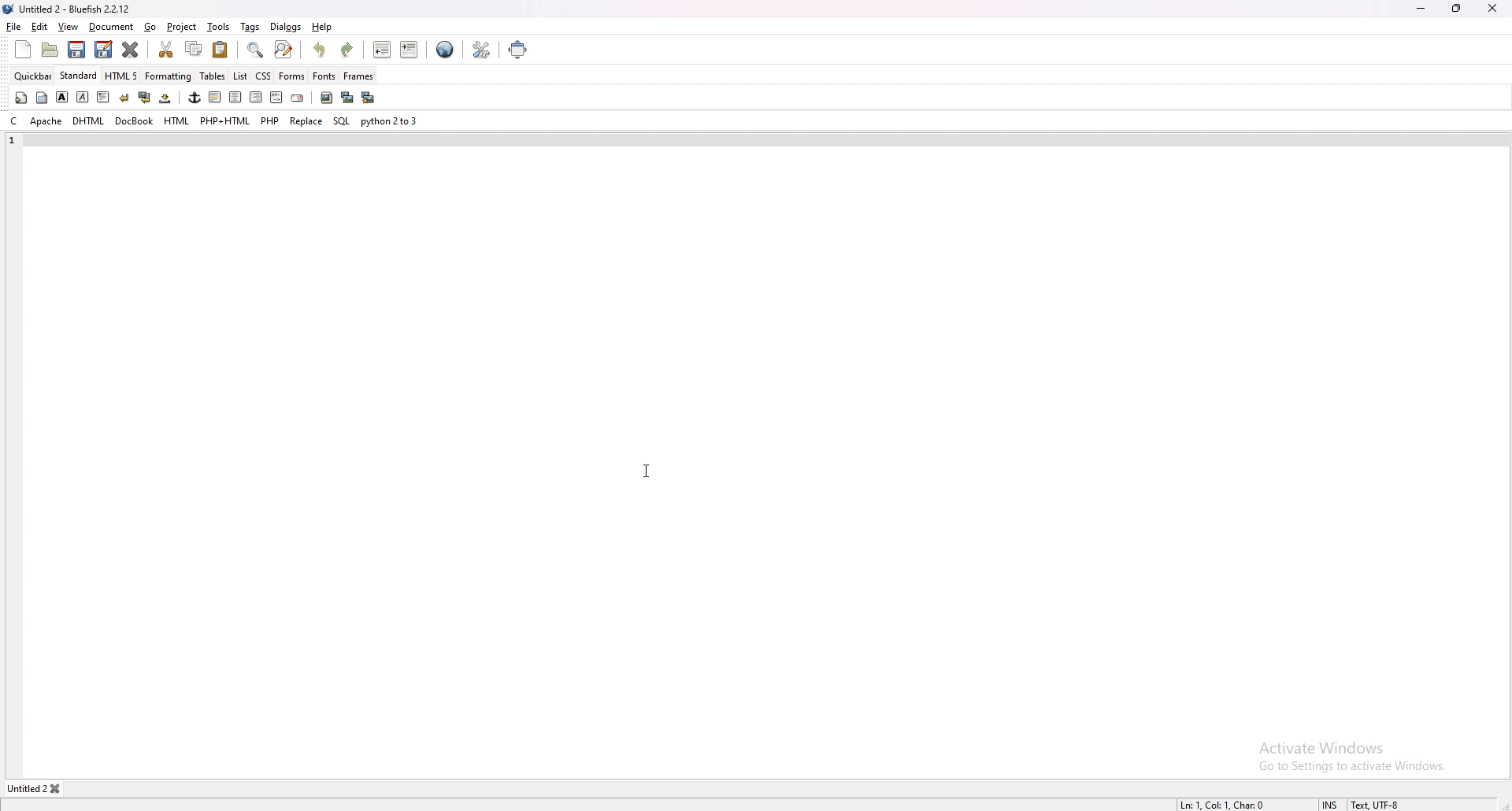 This screenshot has width=1512, height=811. What do you see at coordinates (324, 76) in the screenshot?
I see `fonts` at bounding box center [324, 76].